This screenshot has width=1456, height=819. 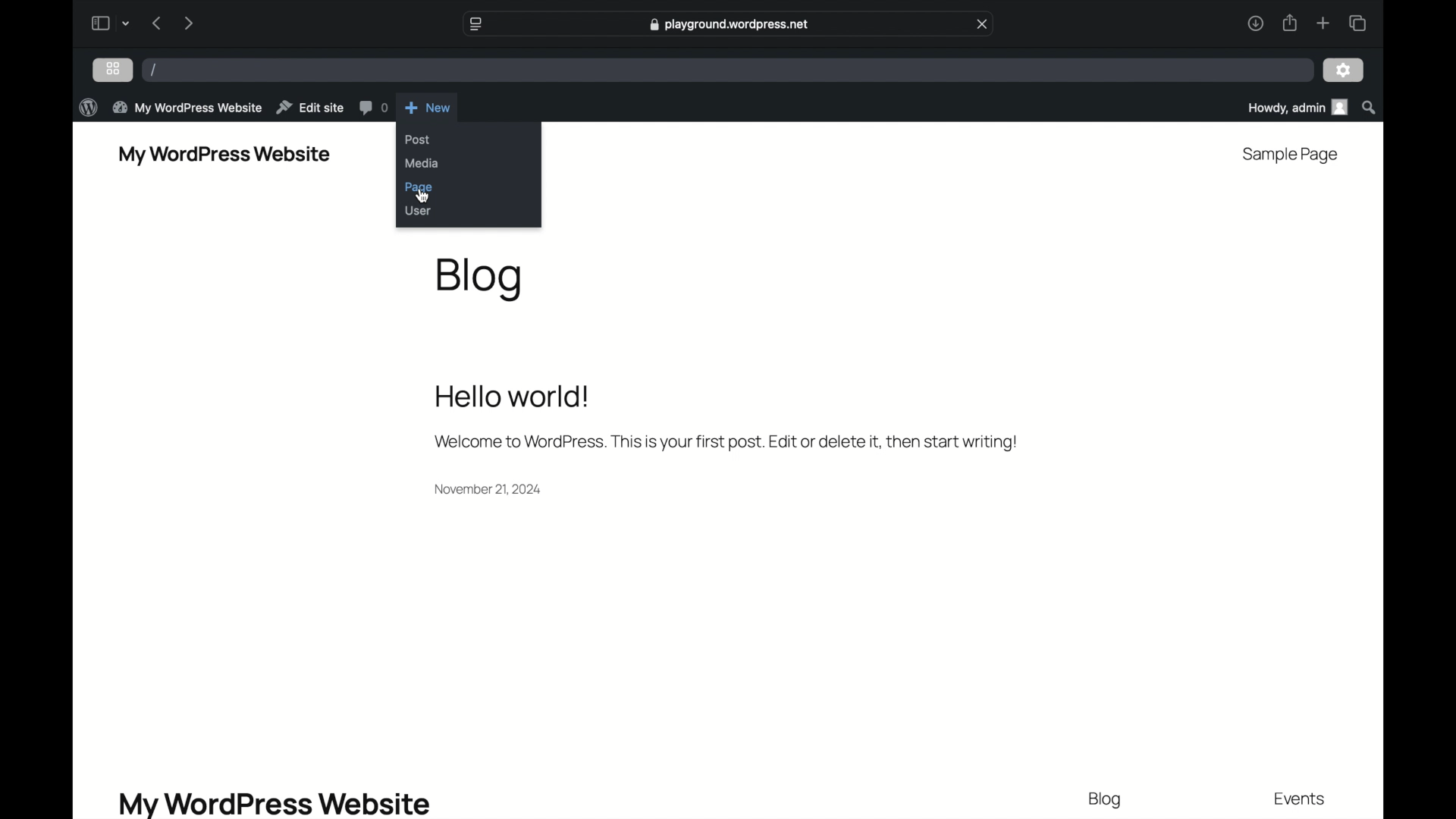 What do you see at coordinates (1291, 155) in the screenshot?
I see `sample page` at bounding box center [1291, 155].